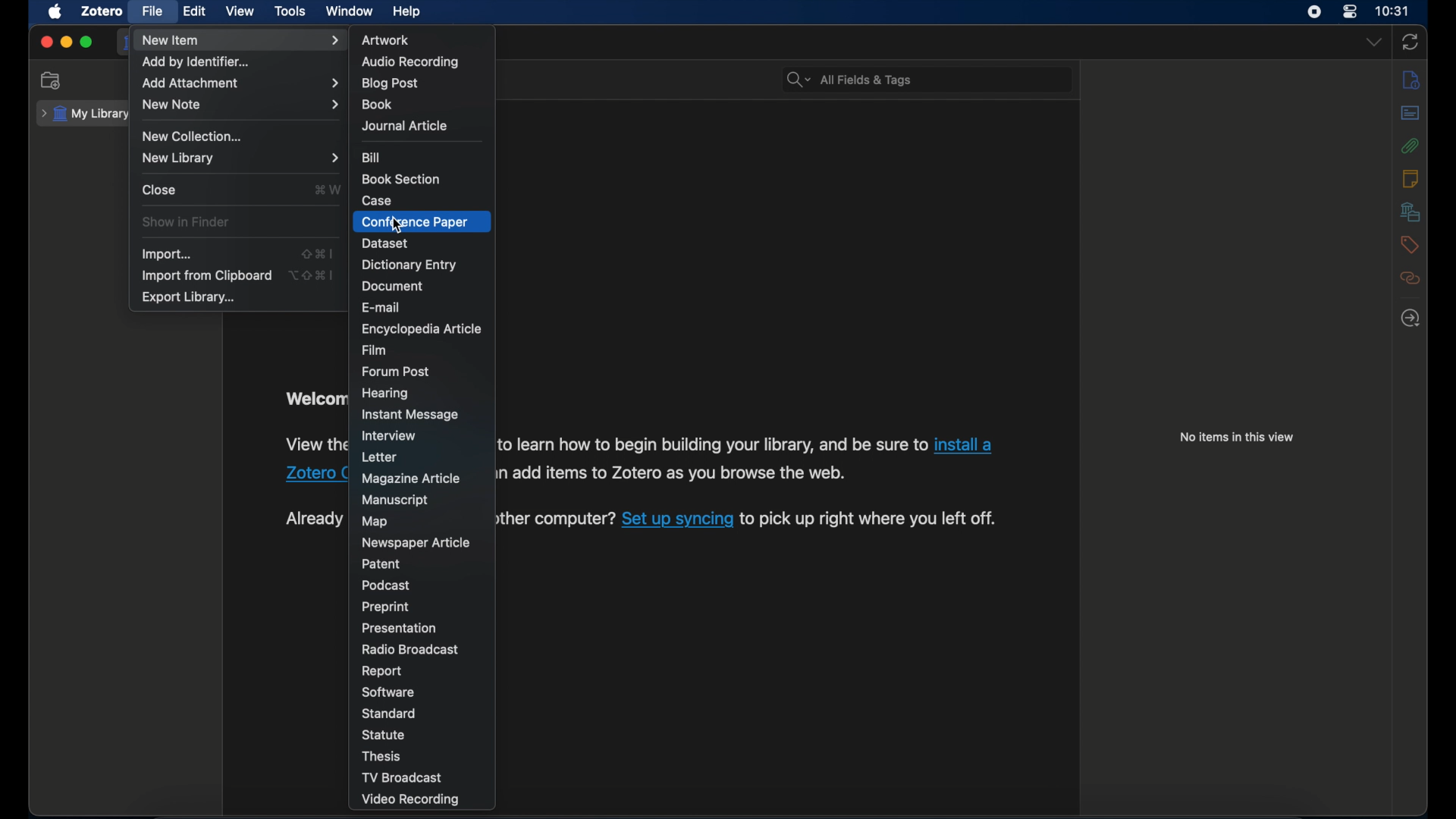 Image resolution: width=1456 pixels, height=819 pixels. What do you see at coordinates (388, 436) in the screenshot?
I see `interview` at bounding box center [388, 436].